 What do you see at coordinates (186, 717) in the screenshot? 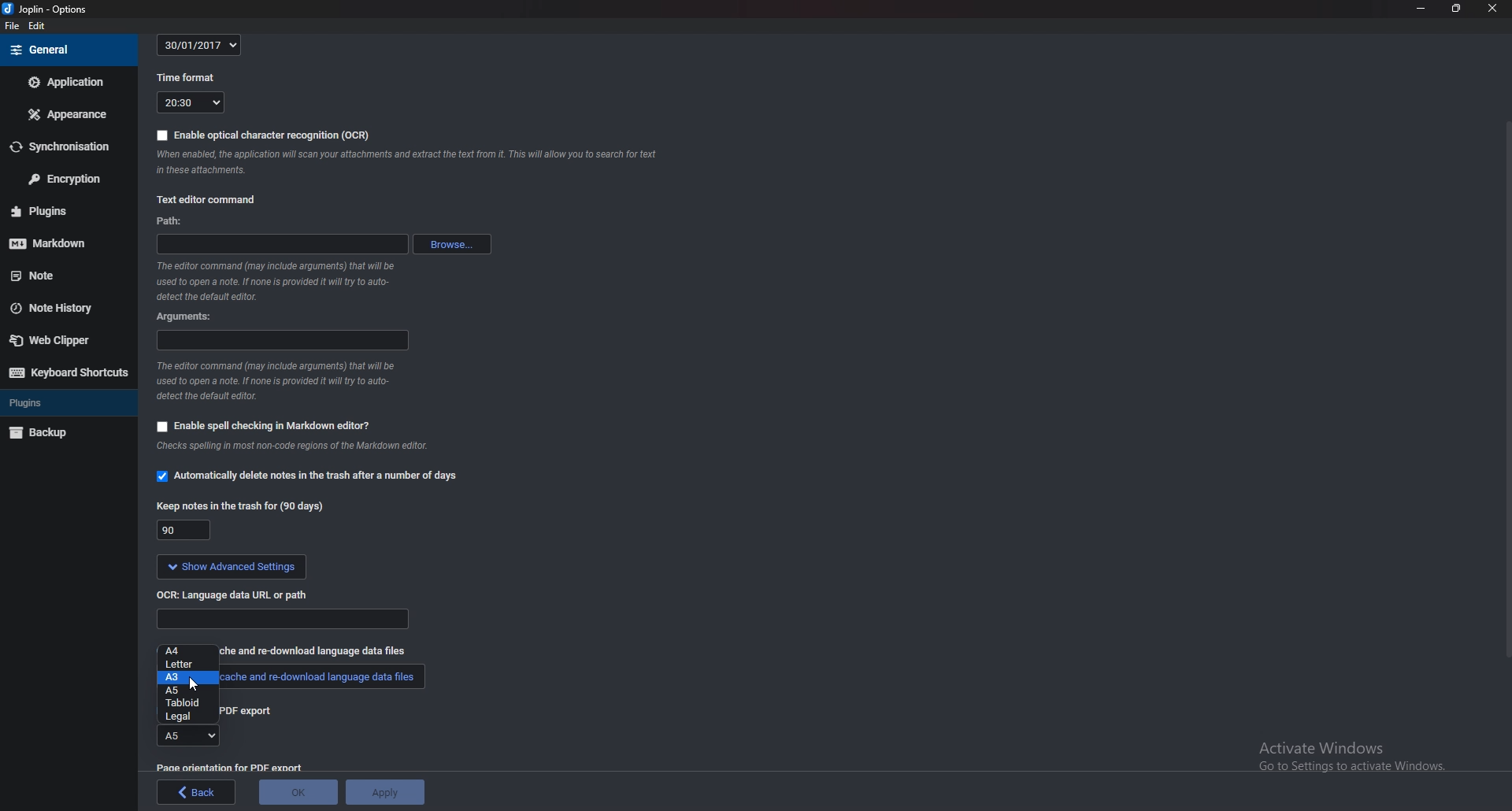
I see `Legal` at bounding box center [186, 717].